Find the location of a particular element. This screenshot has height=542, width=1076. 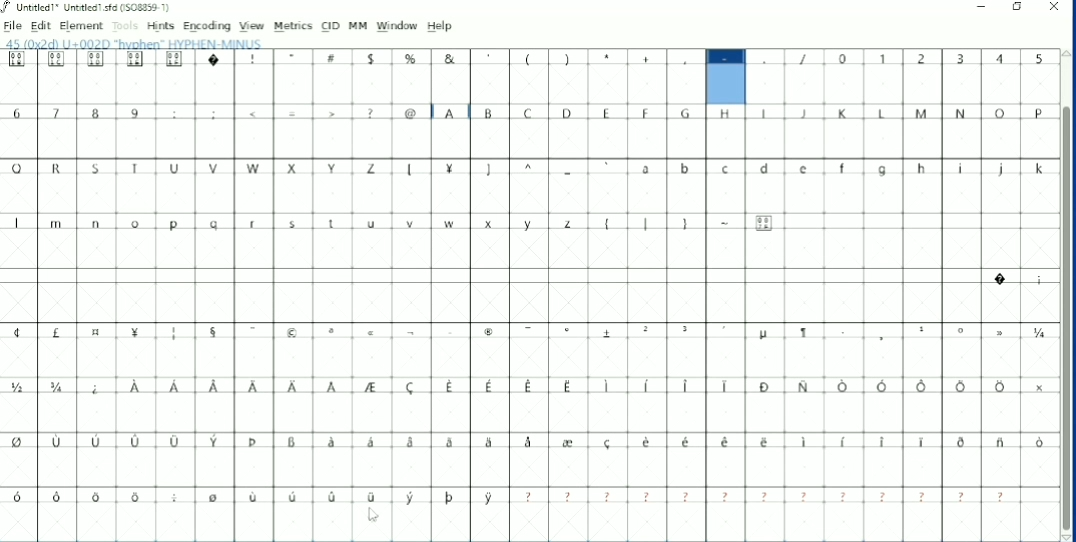

Numbers is located at coordinates (942, 59).